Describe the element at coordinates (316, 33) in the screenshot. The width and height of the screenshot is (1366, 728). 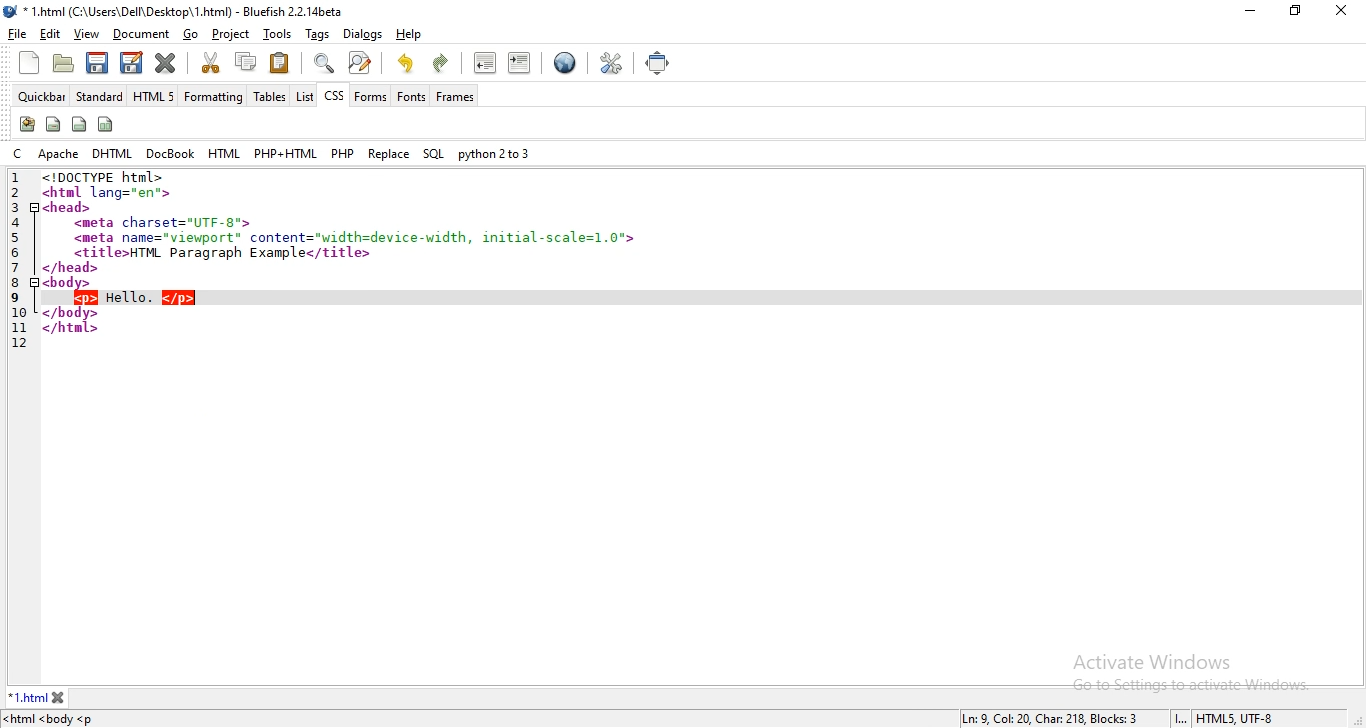
I see `tags` at that location.